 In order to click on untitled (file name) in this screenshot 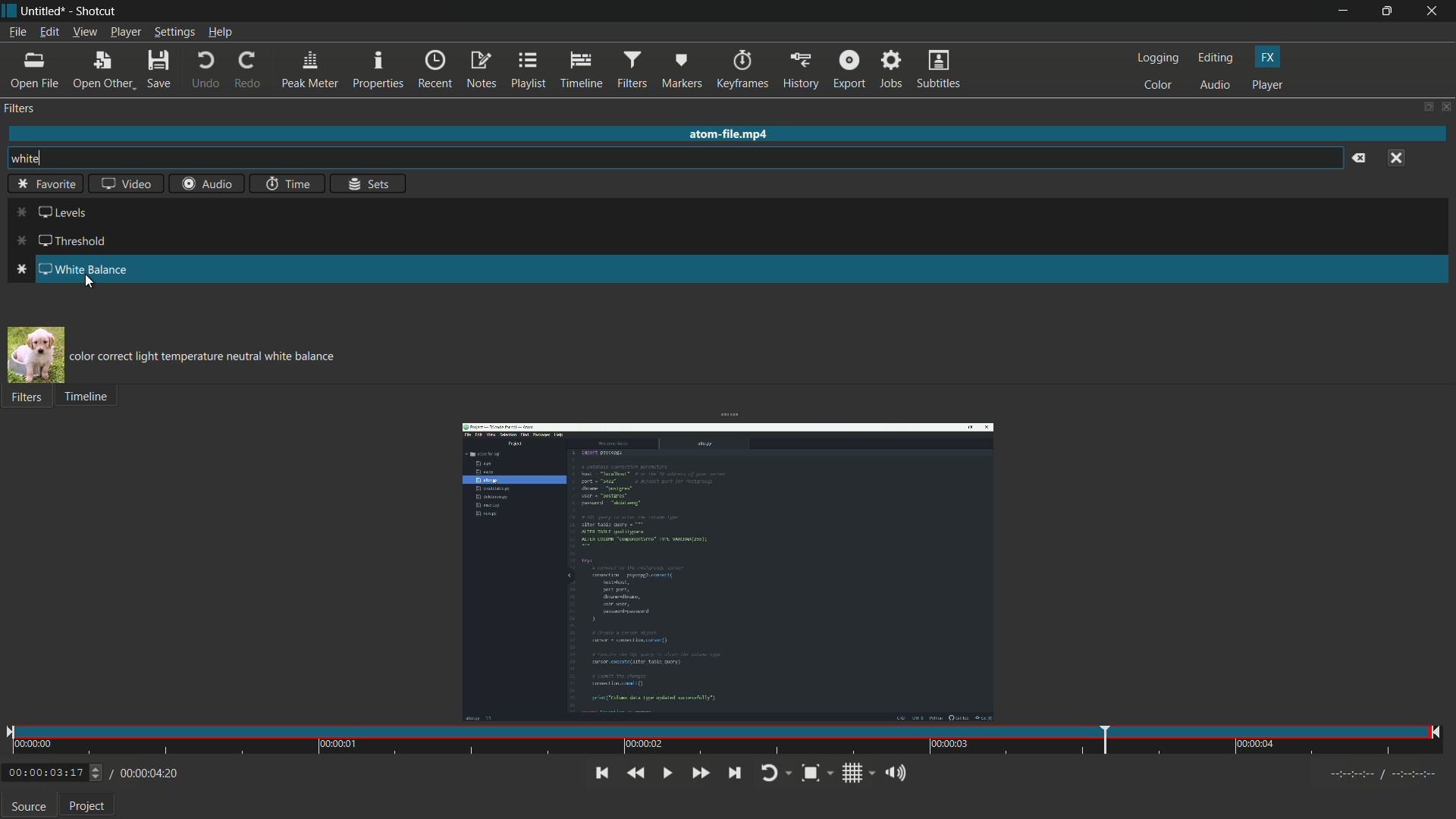, I will do `click(43, 11)`.